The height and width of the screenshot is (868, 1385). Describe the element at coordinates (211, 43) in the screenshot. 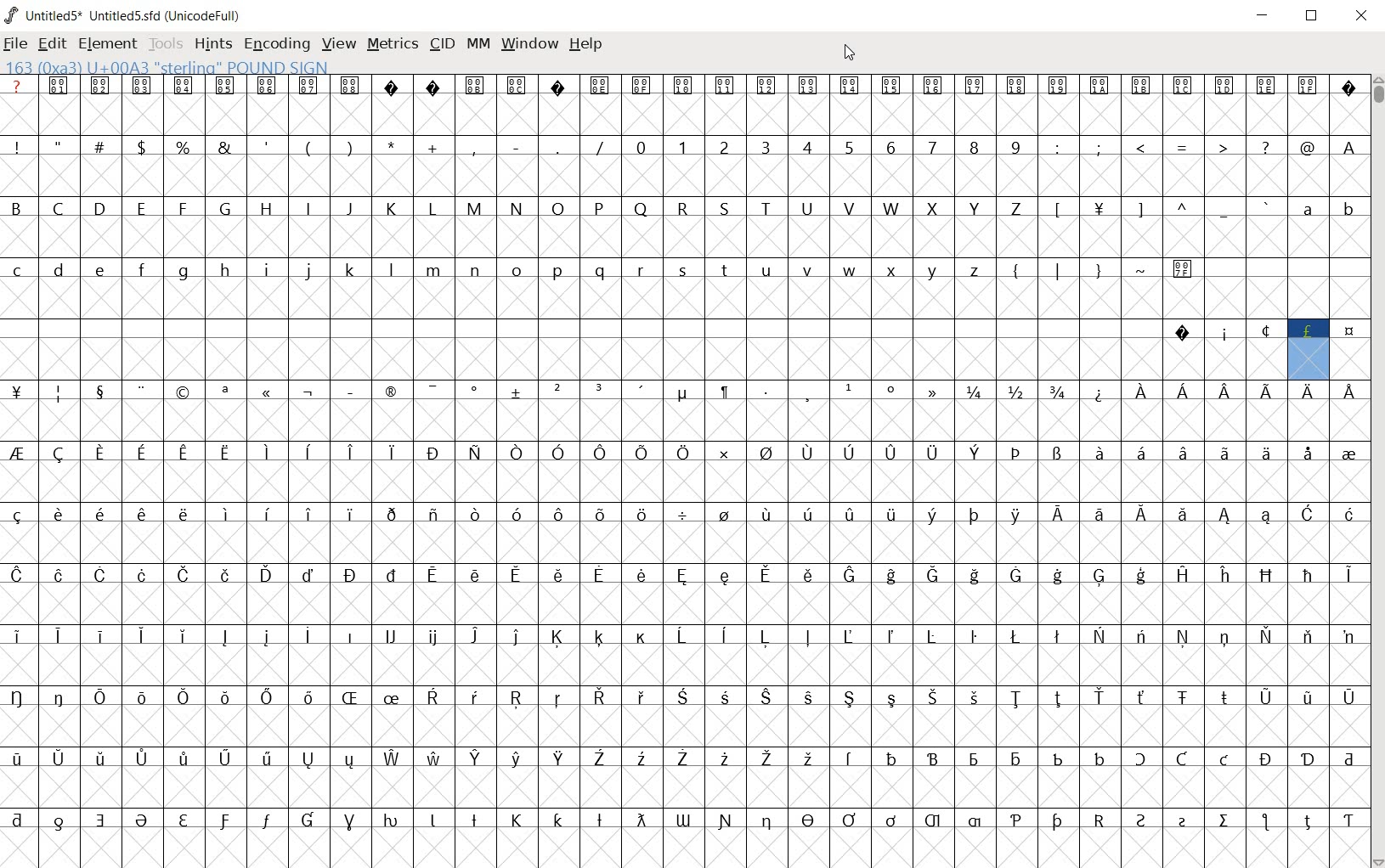

I see `HINTS` at that location.